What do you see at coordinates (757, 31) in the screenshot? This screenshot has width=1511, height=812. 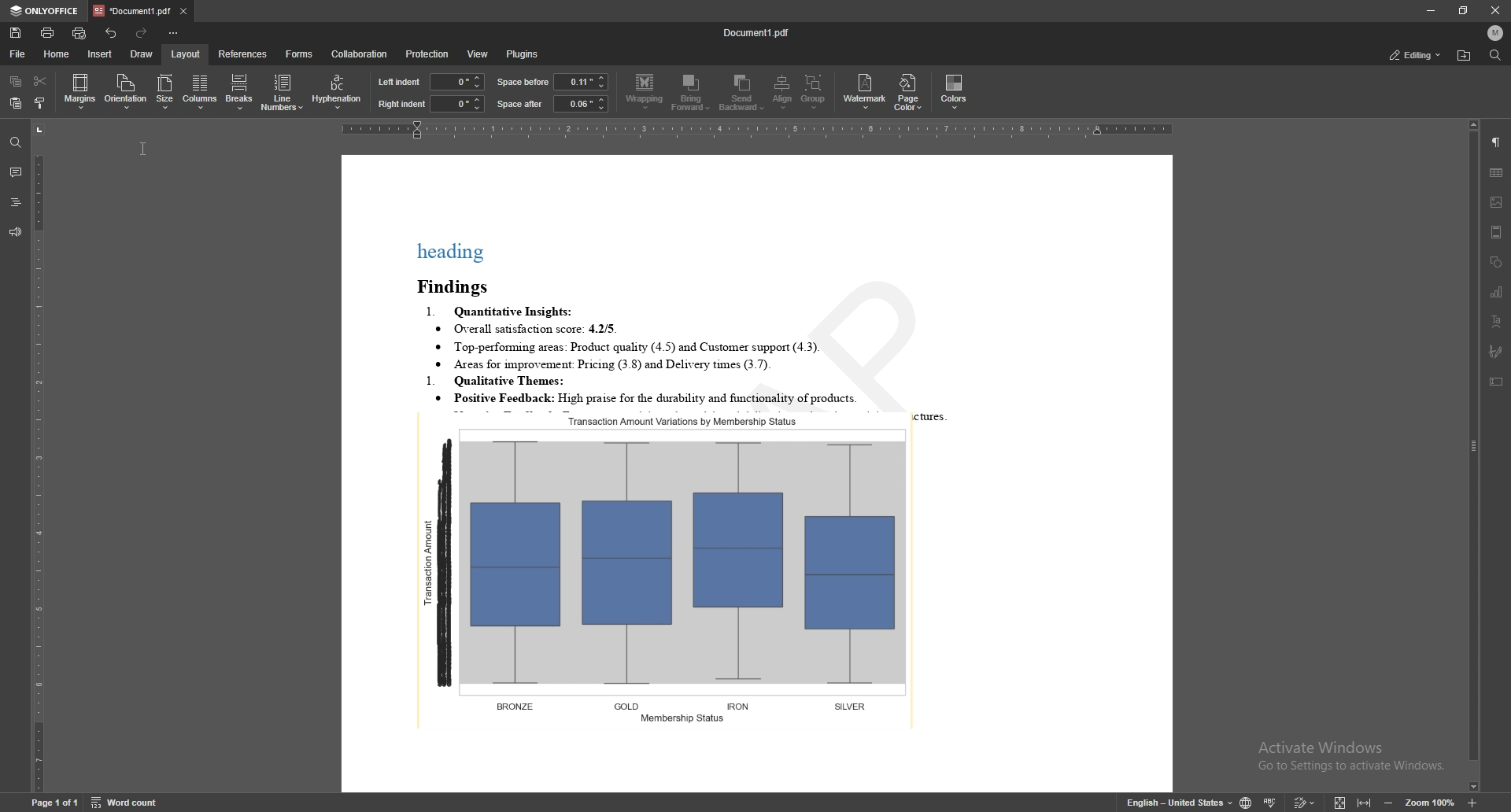 I see `file name` at bounding box center [757, 31].